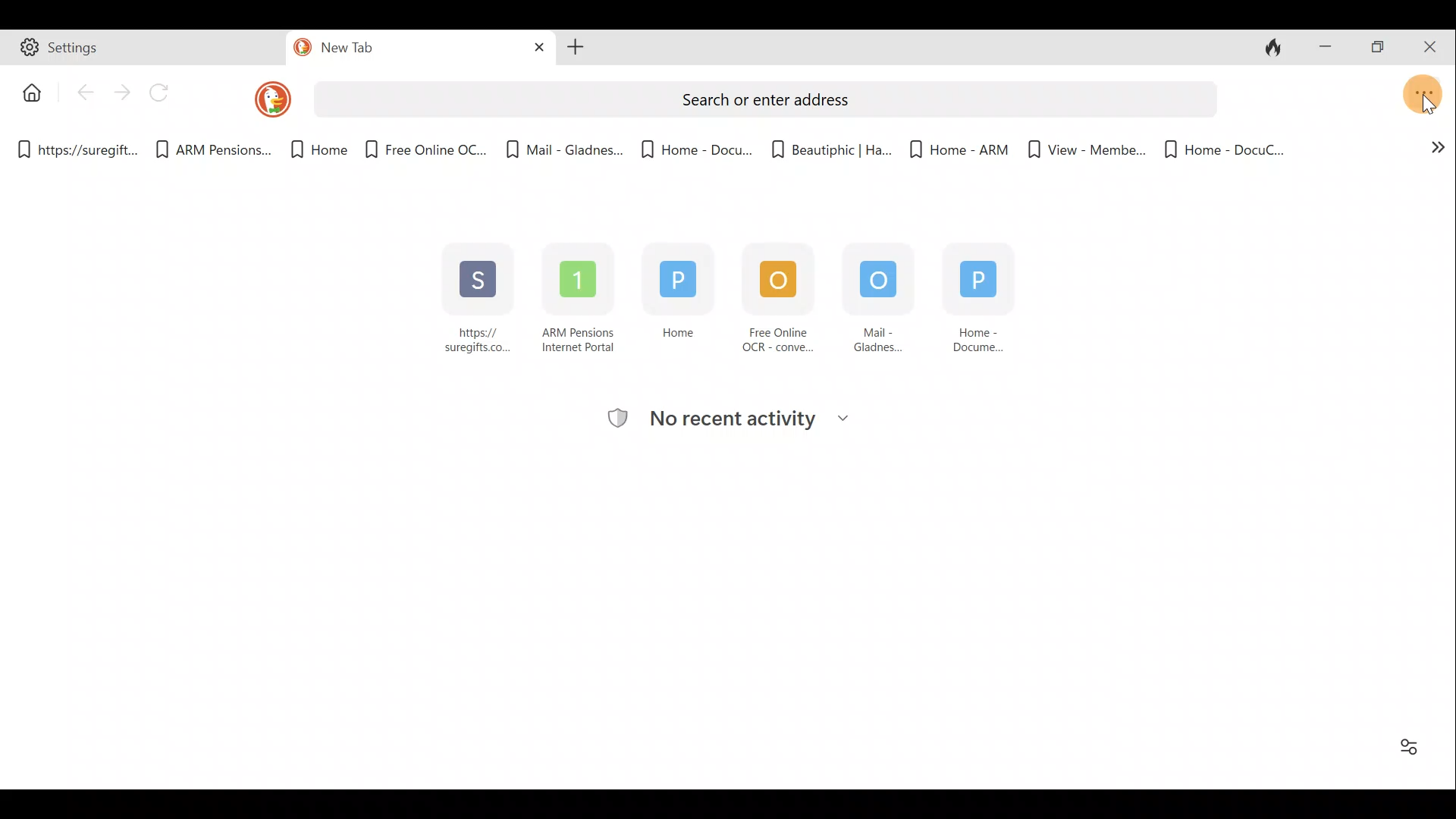 The height and width of the screenshot is (819, 1456). I want to click on Free Online OCR - conve, so click(773, 298).